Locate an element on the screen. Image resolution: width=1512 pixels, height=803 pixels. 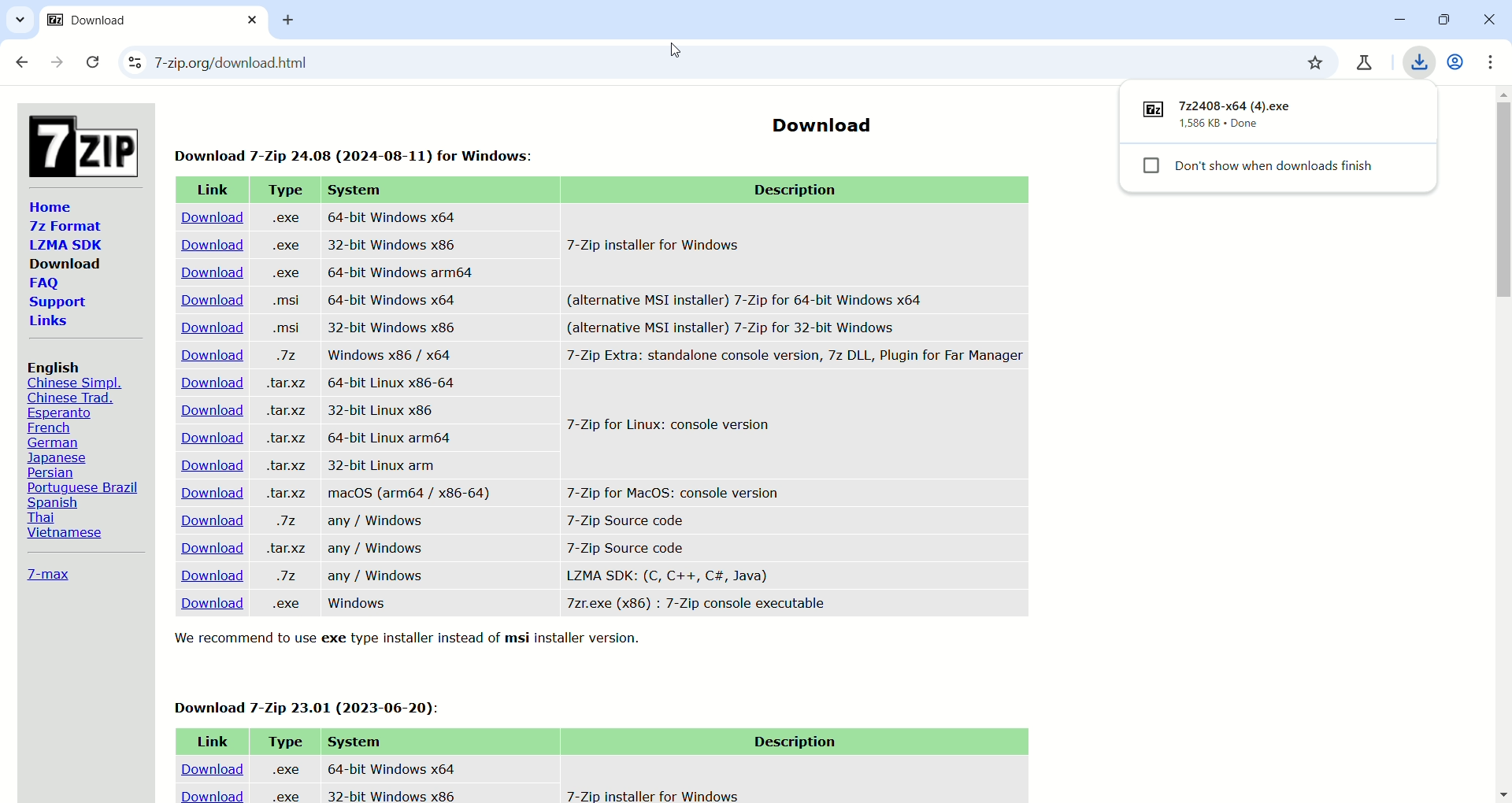
Vietnamese is located at coordinates (61, 535).